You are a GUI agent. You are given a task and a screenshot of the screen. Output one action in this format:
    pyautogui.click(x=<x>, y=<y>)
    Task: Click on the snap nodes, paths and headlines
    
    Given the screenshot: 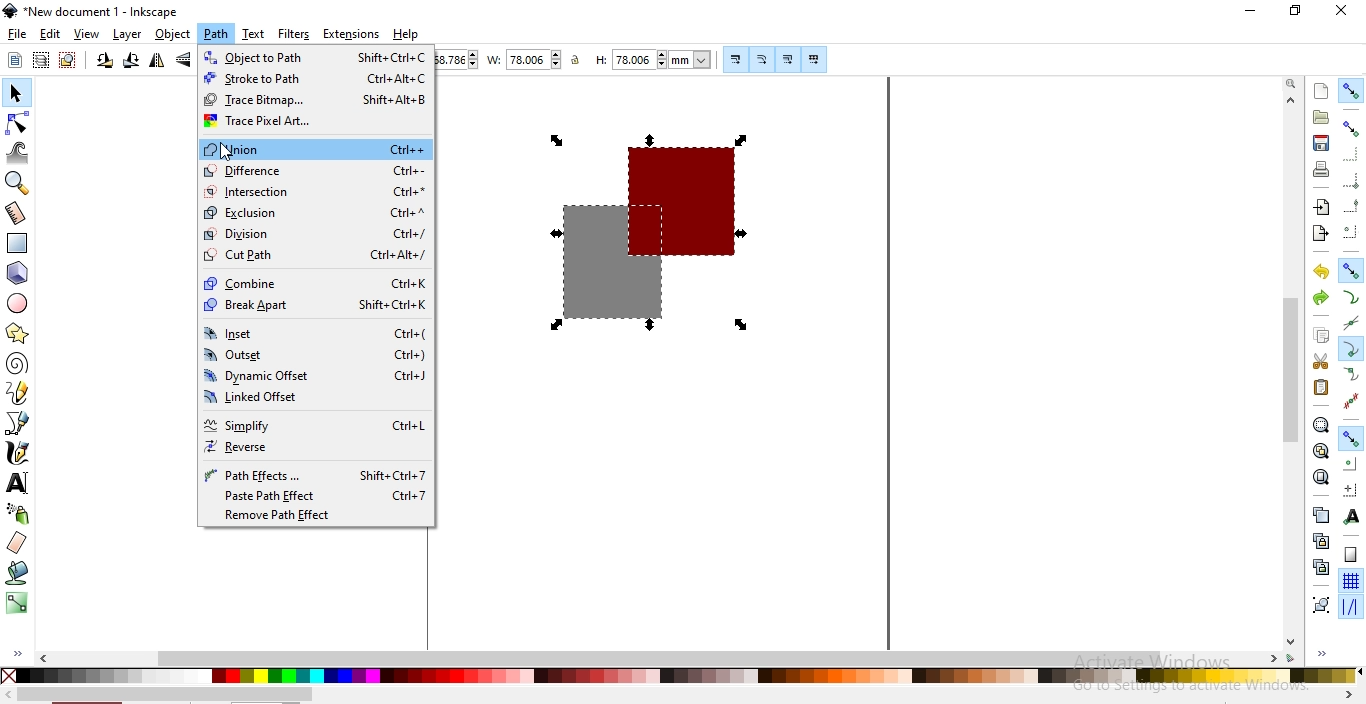 What is the action you would take?
    pyautogui.click(x=1351, y=270)
    